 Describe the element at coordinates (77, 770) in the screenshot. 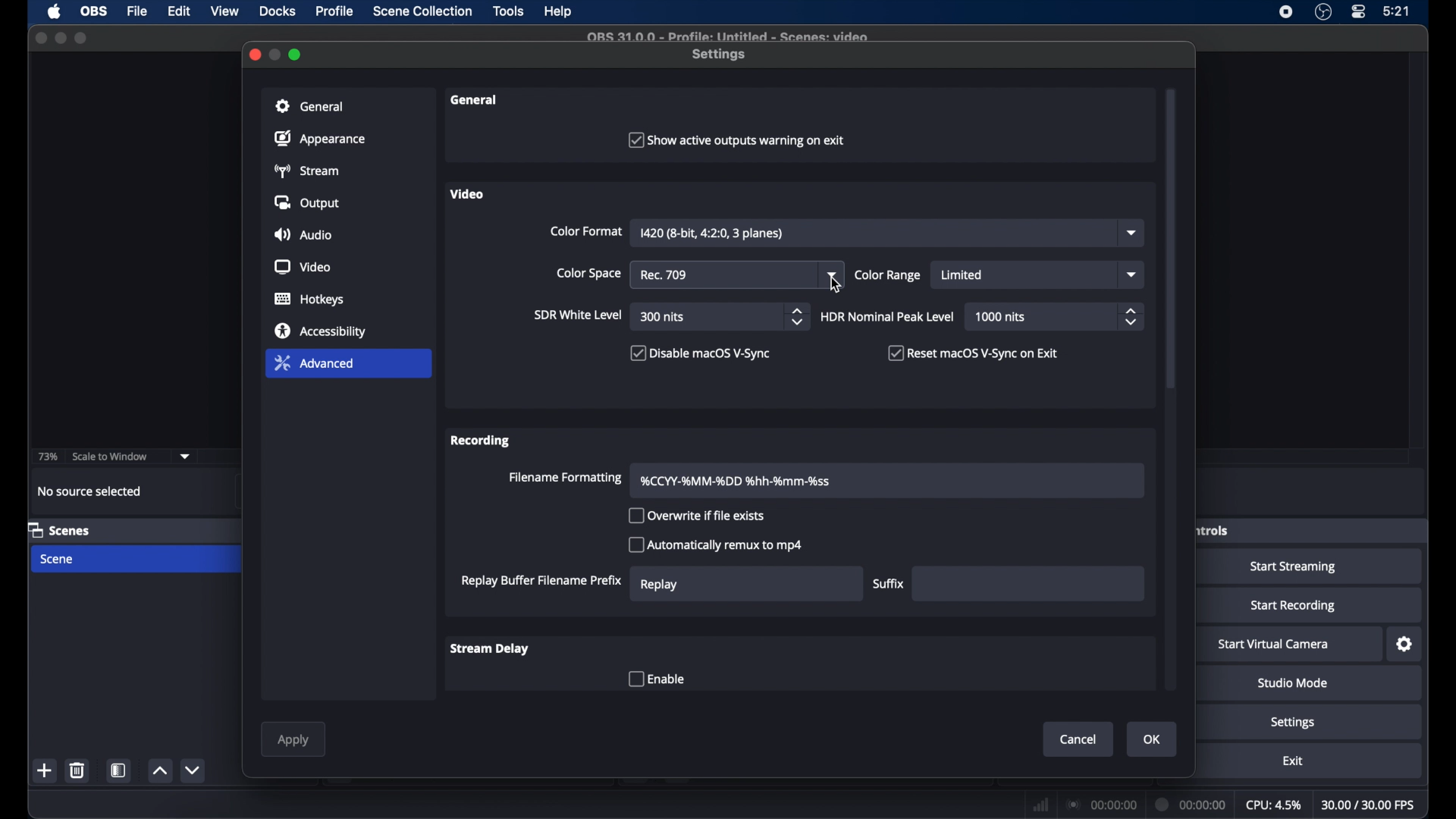

I see `delete` at that location.